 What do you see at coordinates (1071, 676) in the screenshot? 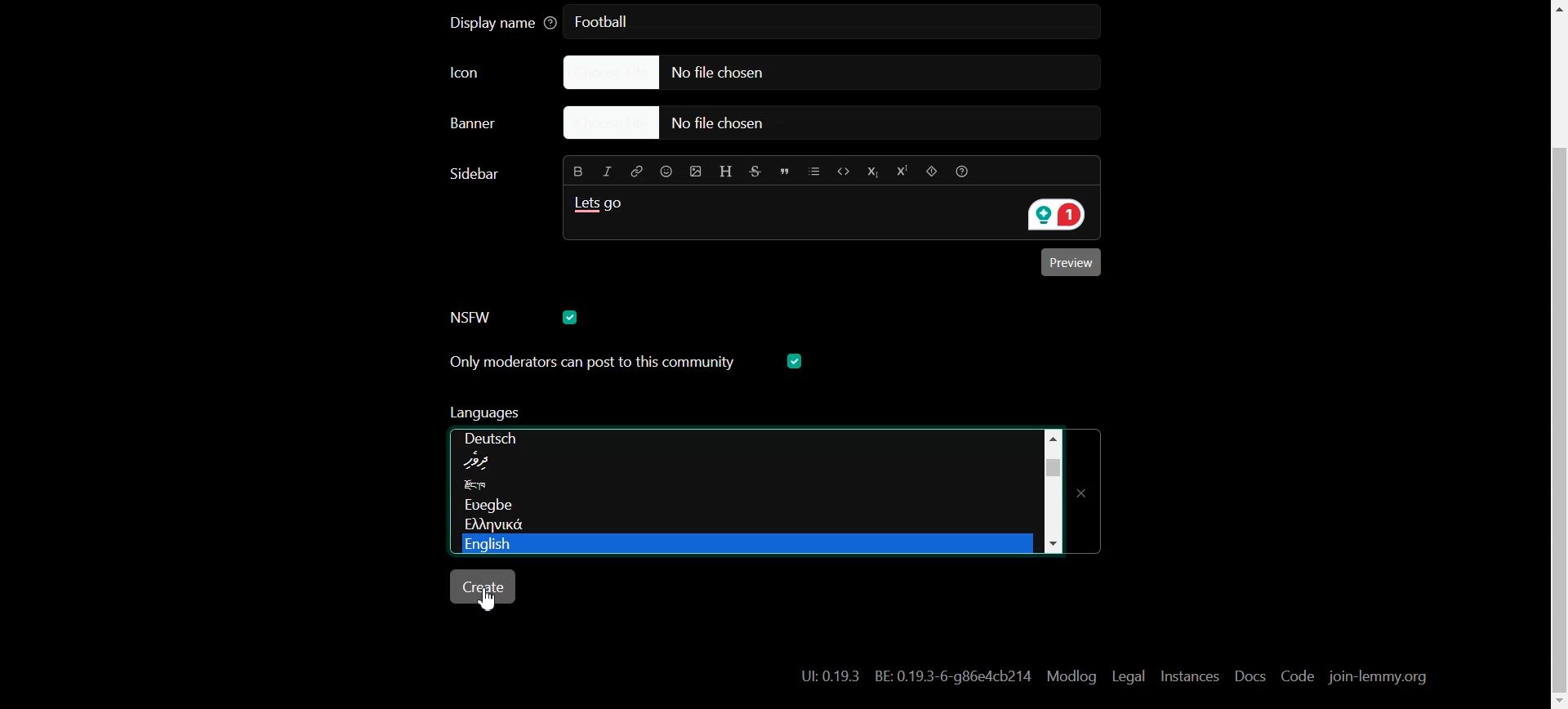
I see `Modlog` at bounding box center [1071, 676].